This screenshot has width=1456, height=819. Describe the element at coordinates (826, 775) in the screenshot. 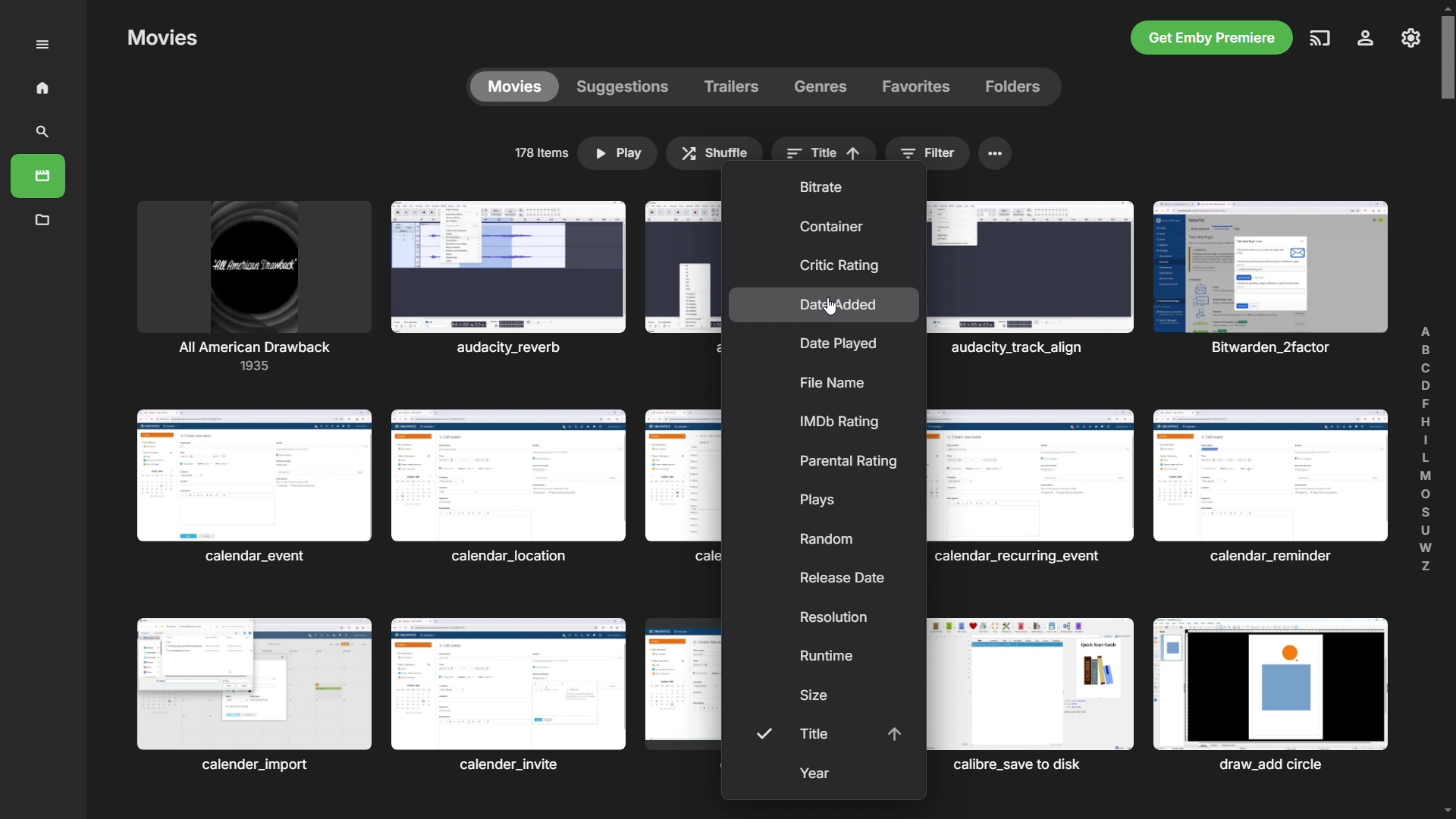

I see `year` at that location.